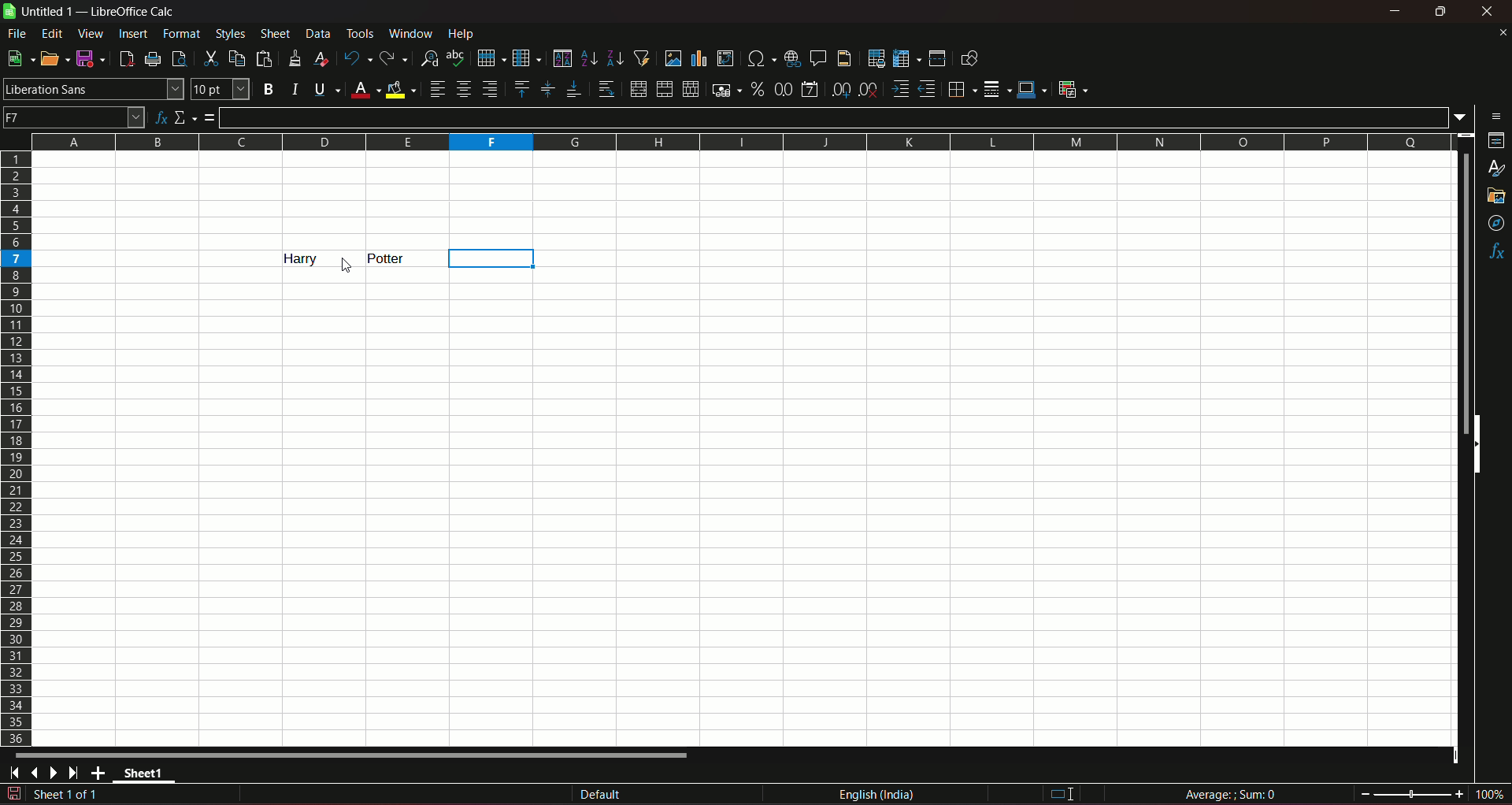 This screenshot has width=1512, height=805. What do you see at coordinates (318, 33) in the screenshot?
I see `data` at bounding box center [318, 33].